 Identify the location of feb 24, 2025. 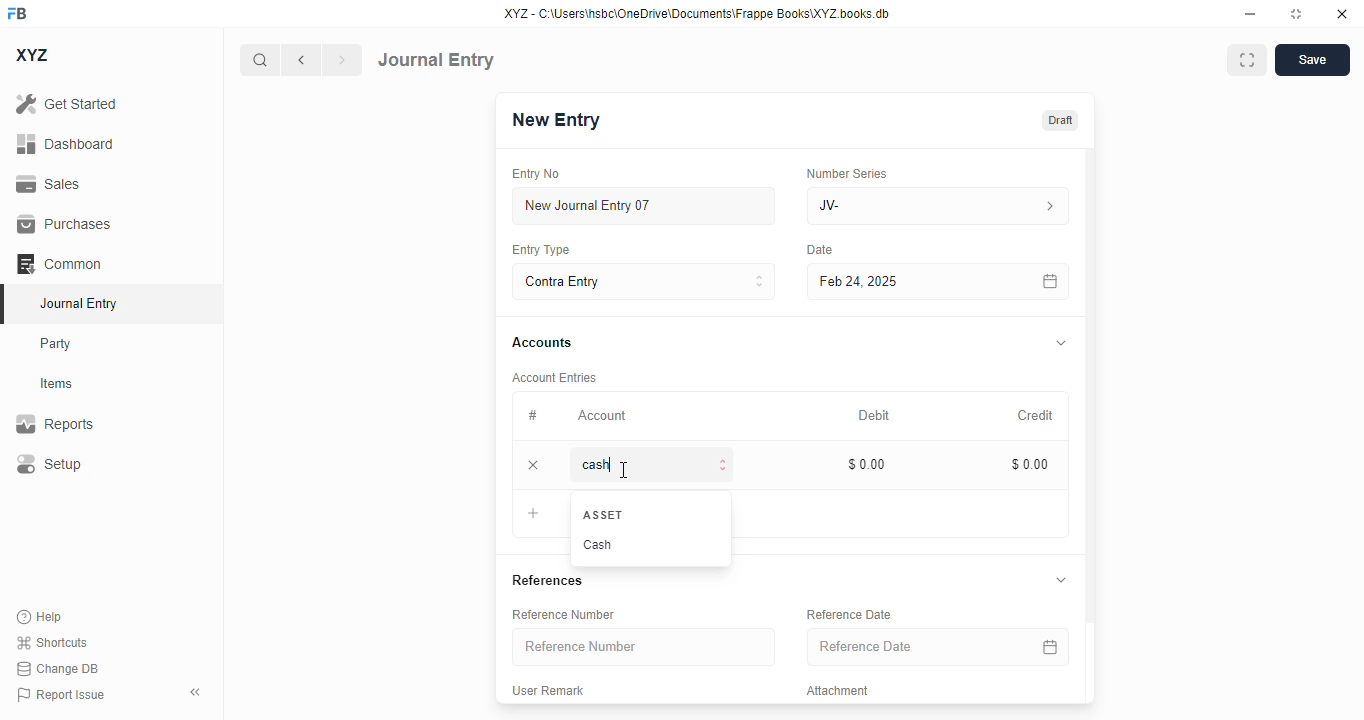
(895, 282).